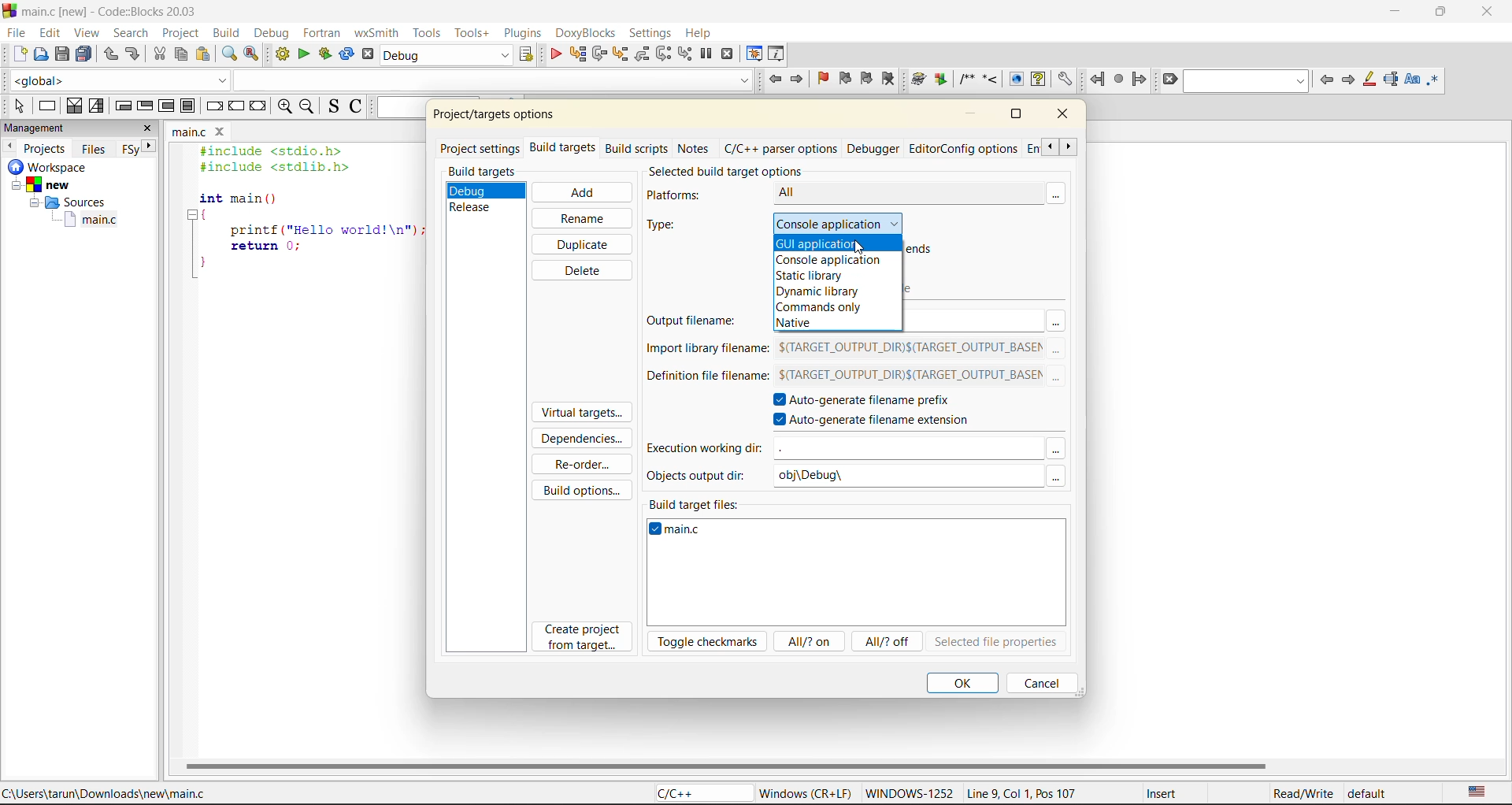 The height and width of the screenshot is (805, 1512). What do you see at coordinates (825, 78) in the screenshot?
I see `toggle bookmark` at bounding box center [825, 78].